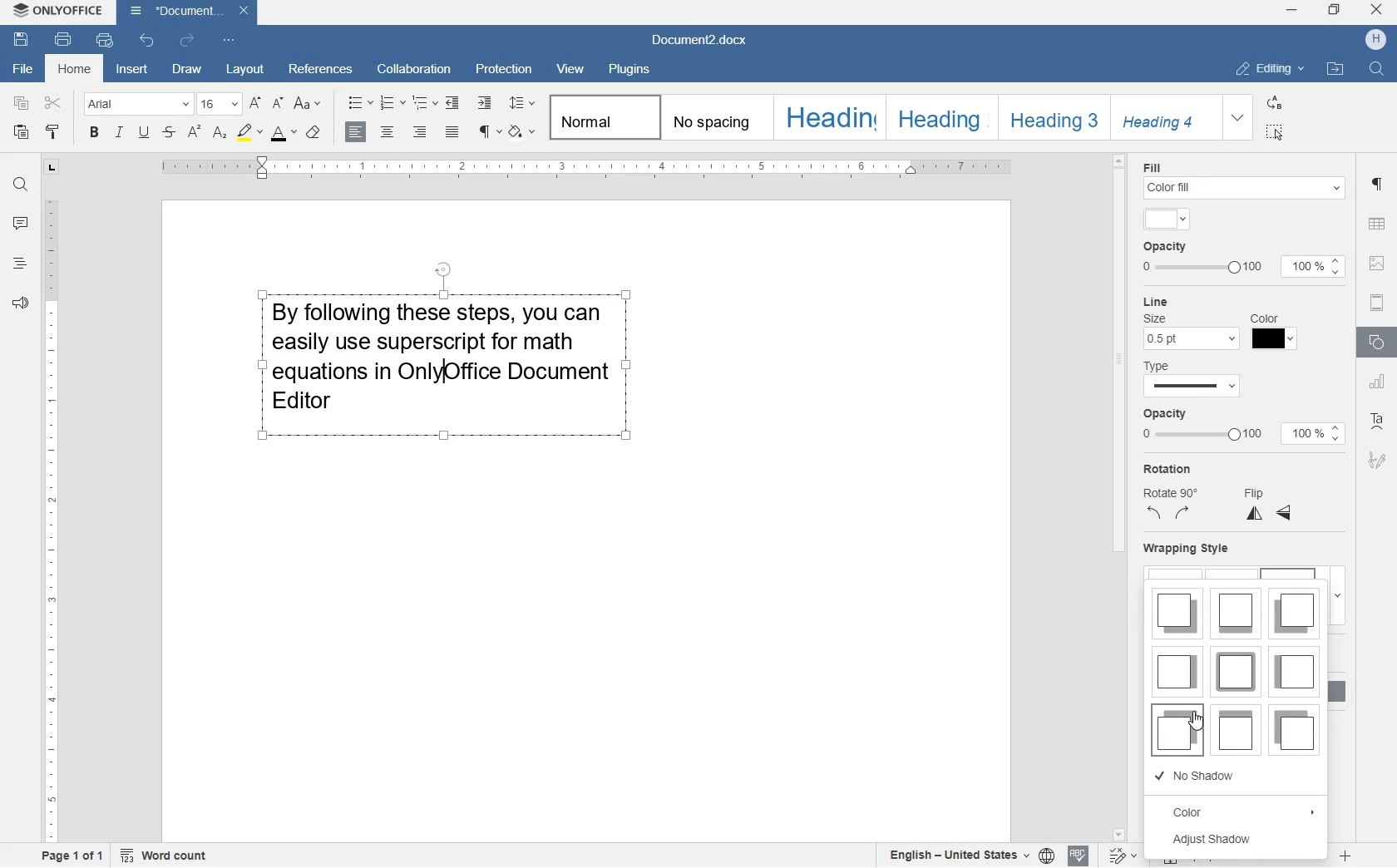 The width and height of the screenshot is (1397, 868). Describe the element at coordinates (701, 42) in the screenshot. I see `Document2.docx` at that location.